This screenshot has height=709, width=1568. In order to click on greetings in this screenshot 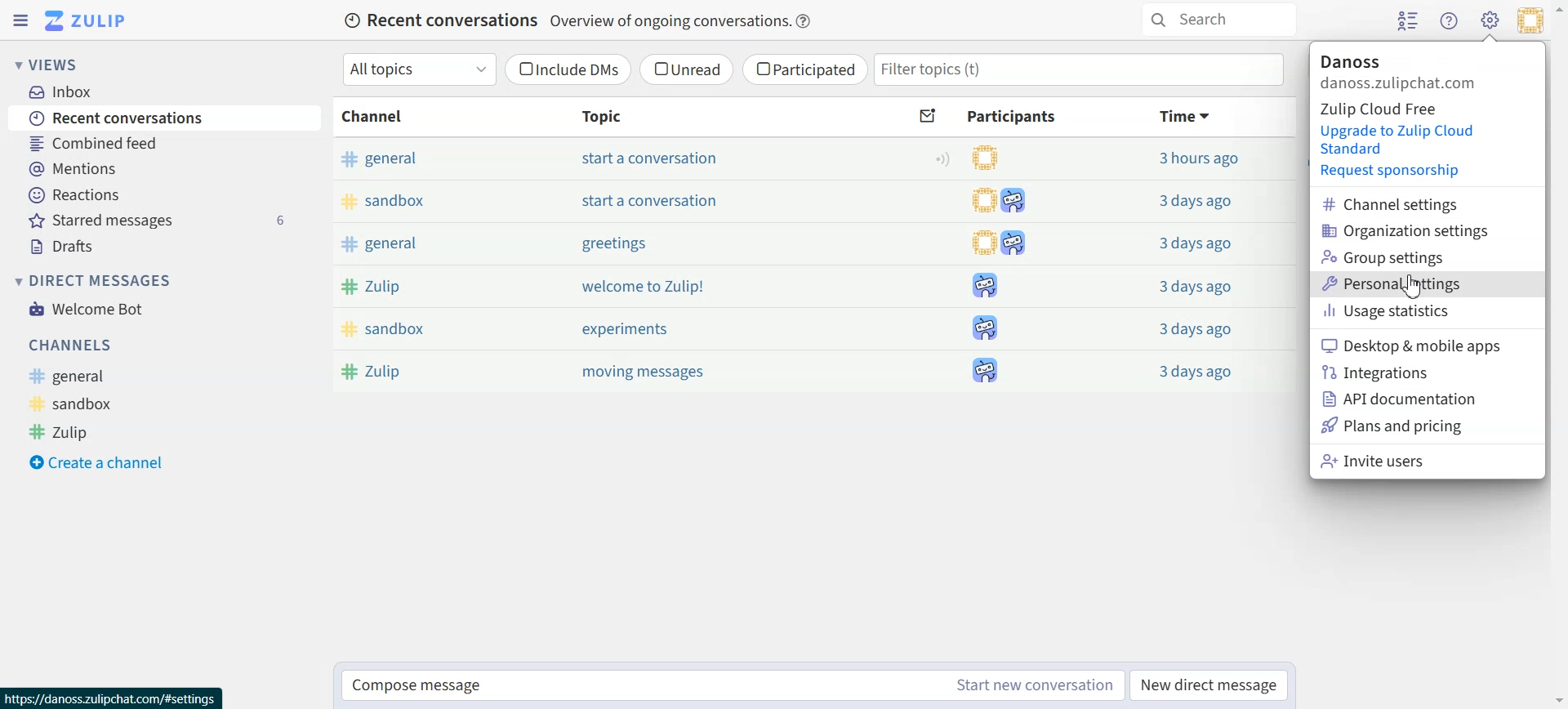, I will do `click(617, 244)`.